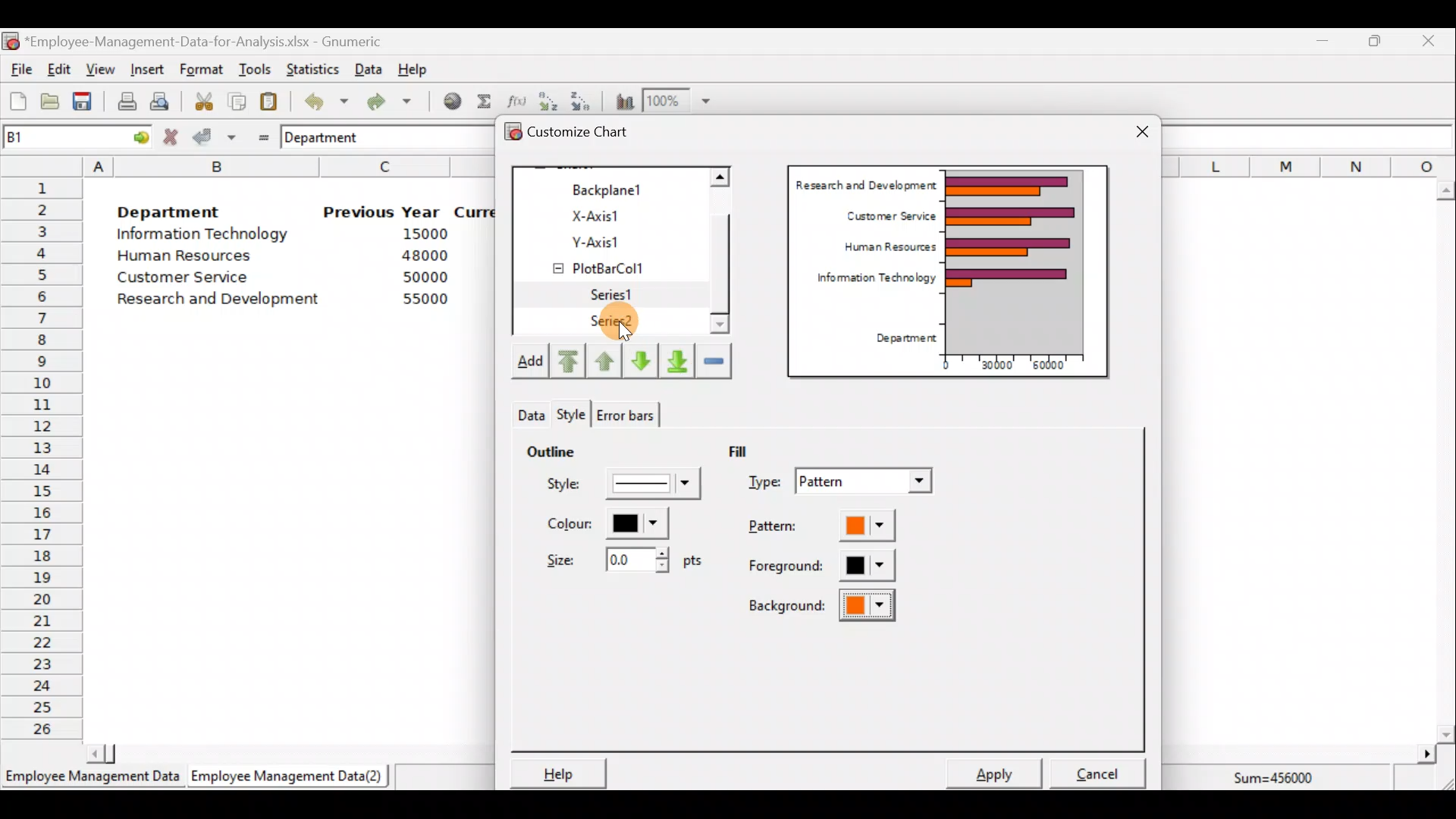 This screenshot has width=1456, height=819. I want to click on Columns, so click(1309, 165).